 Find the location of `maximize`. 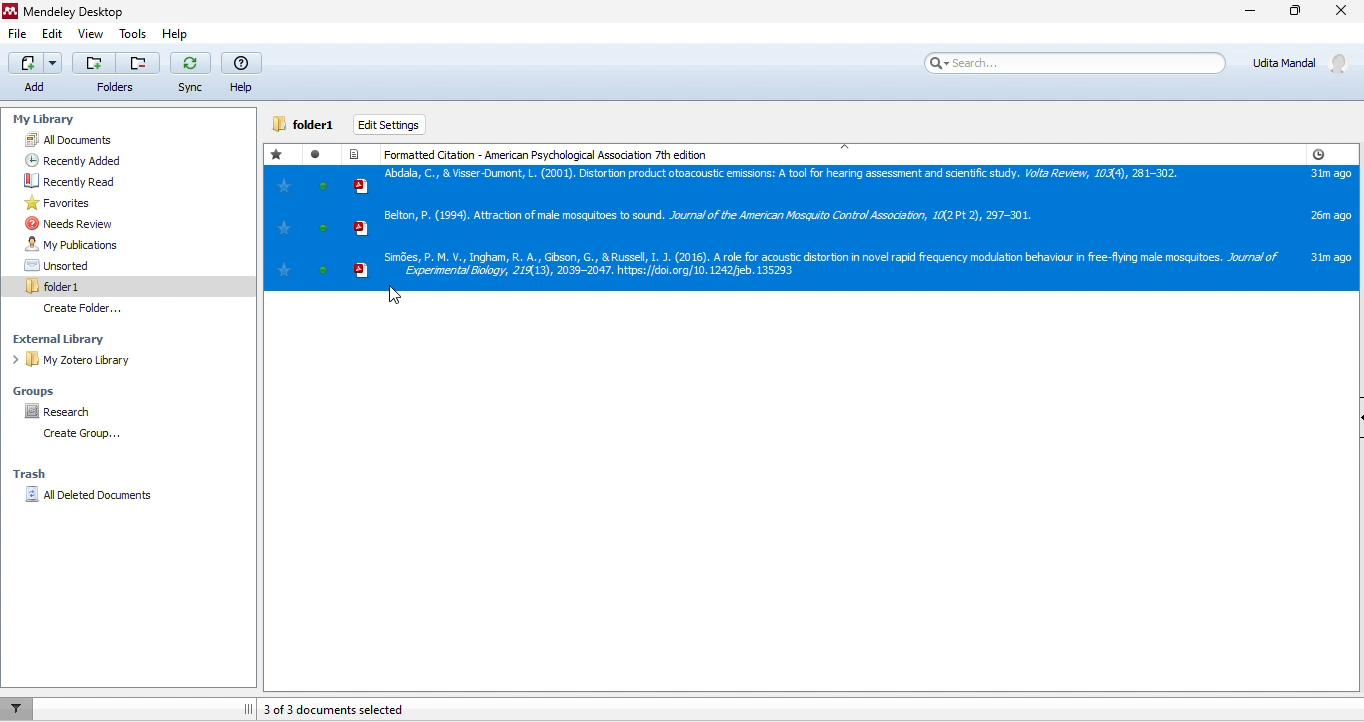

maximize is located at coordinates (1295, 15).